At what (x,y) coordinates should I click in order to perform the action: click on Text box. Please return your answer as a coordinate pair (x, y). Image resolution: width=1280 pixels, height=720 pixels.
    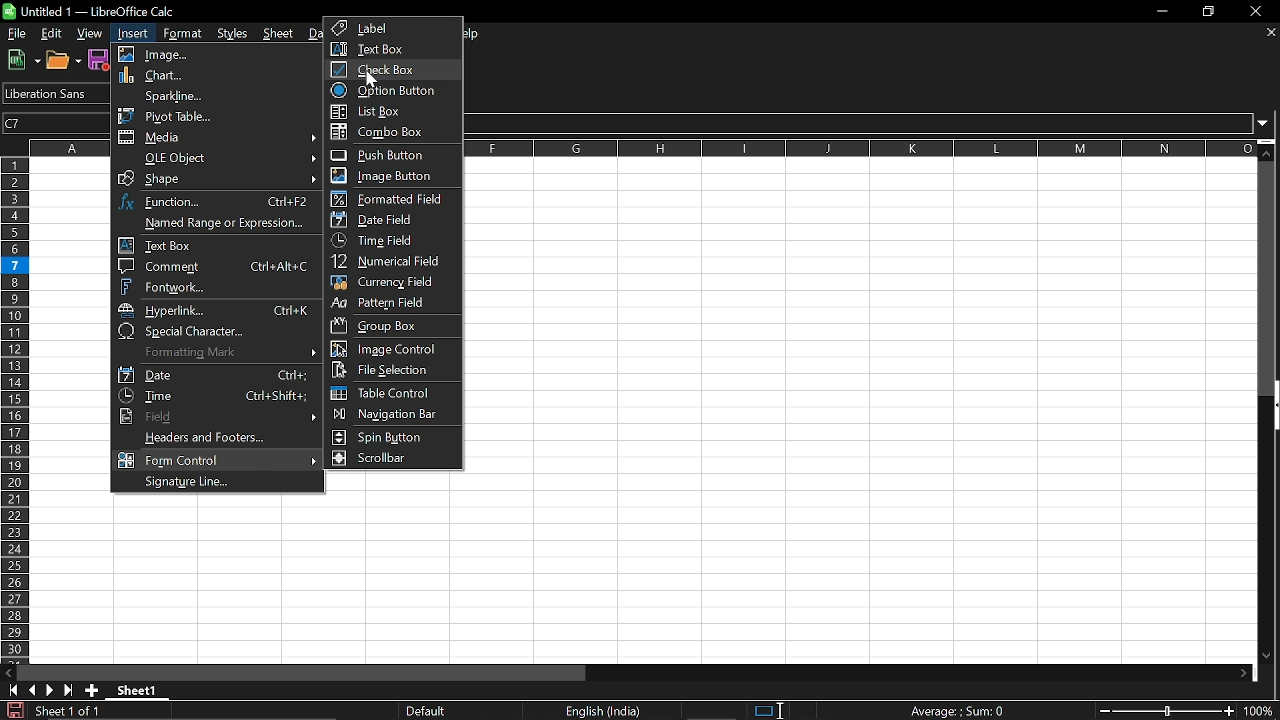
    Looking at the image, I should click on (392, 49).